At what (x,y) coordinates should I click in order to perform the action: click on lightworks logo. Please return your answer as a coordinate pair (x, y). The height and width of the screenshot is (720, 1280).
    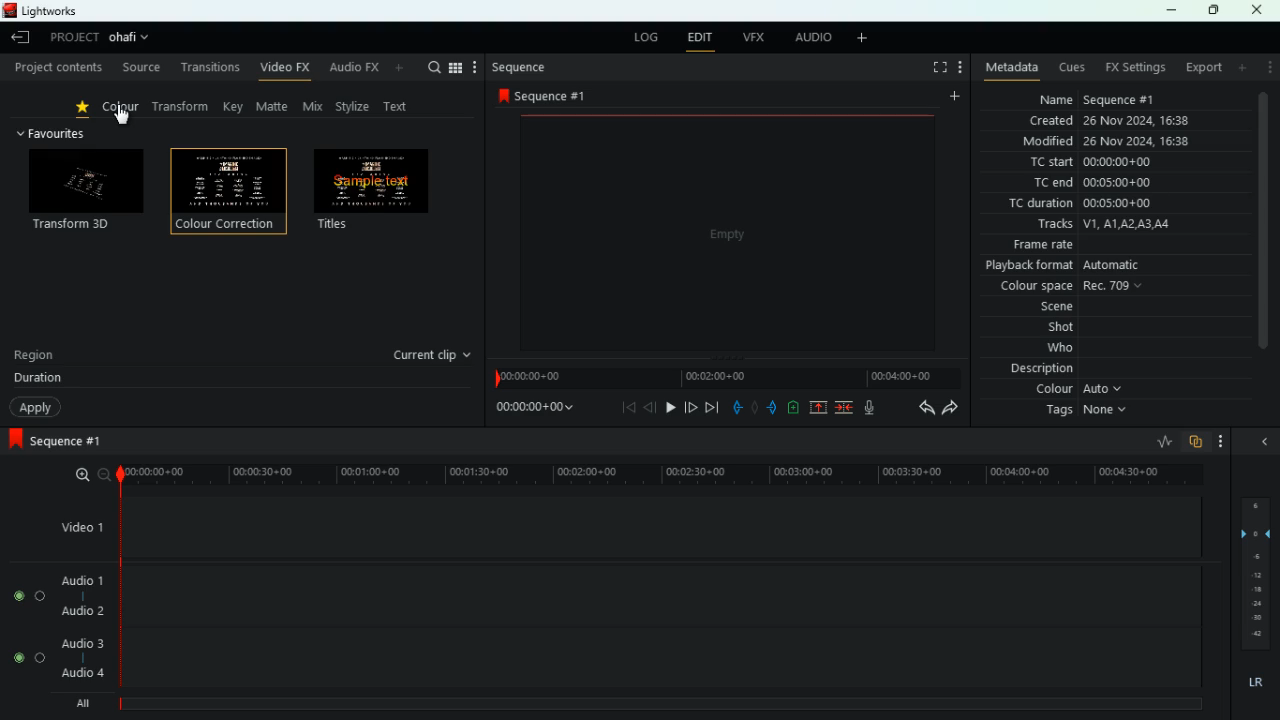
    Looking at the image, I should click on (8, 10).